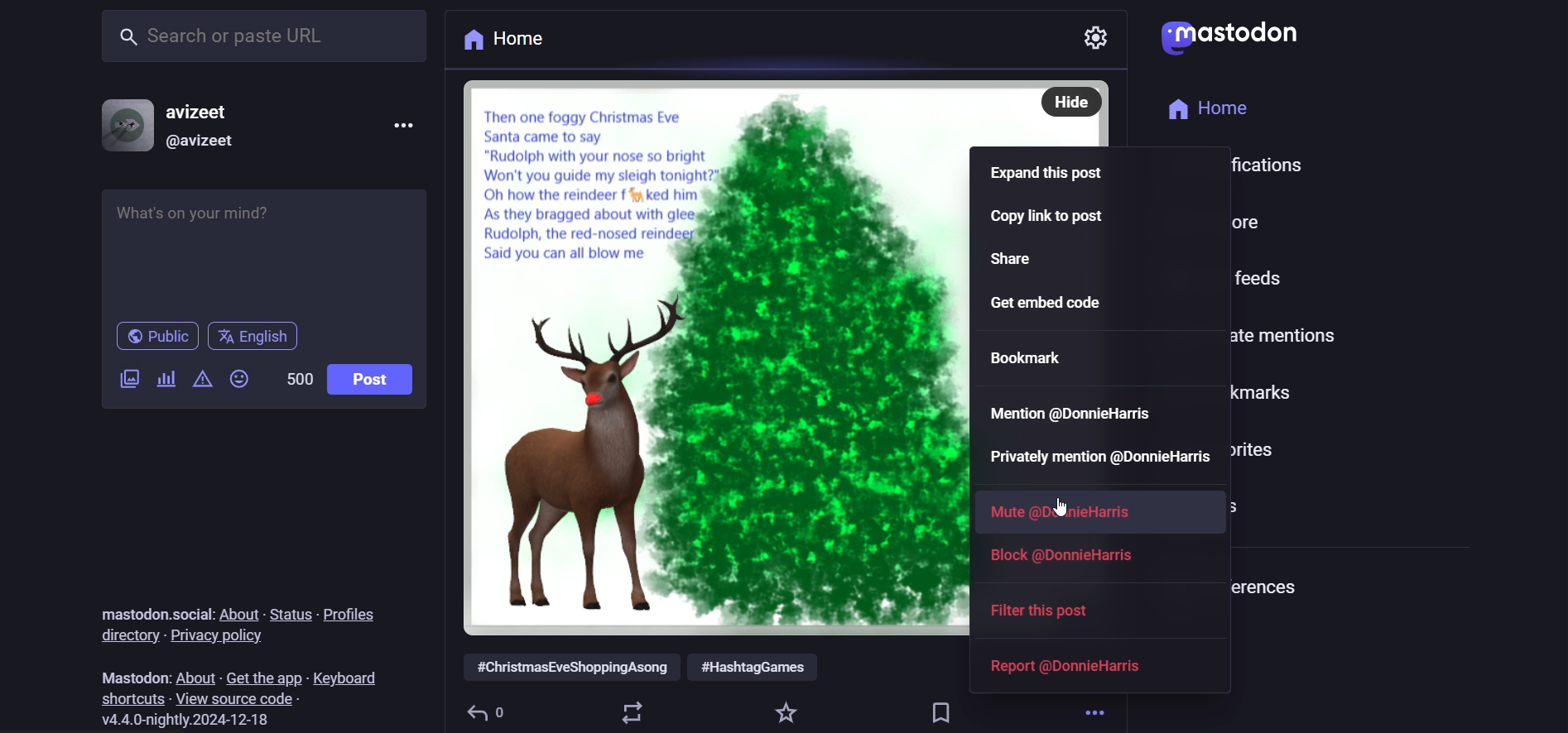 This screenshot has width=1568, height=733. What do you see at coordinates (156, 336) in the screenshot?
I see `public` at bounding box center [156, 336].